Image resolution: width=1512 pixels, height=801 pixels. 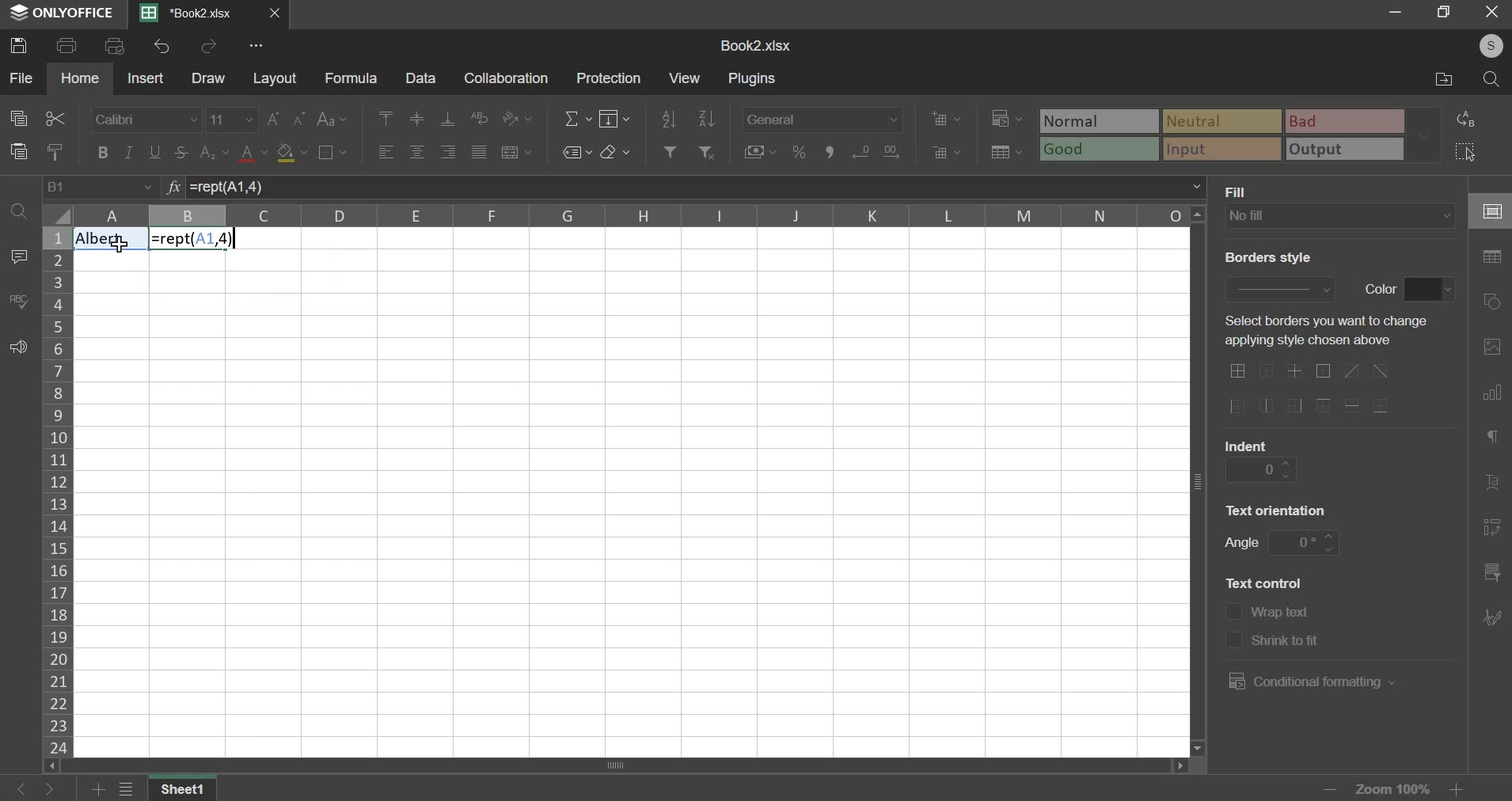 What do you see at coordinates (1495, 480) in the screenshot?
I see `text art settings` at bounding box center [1495, 480].